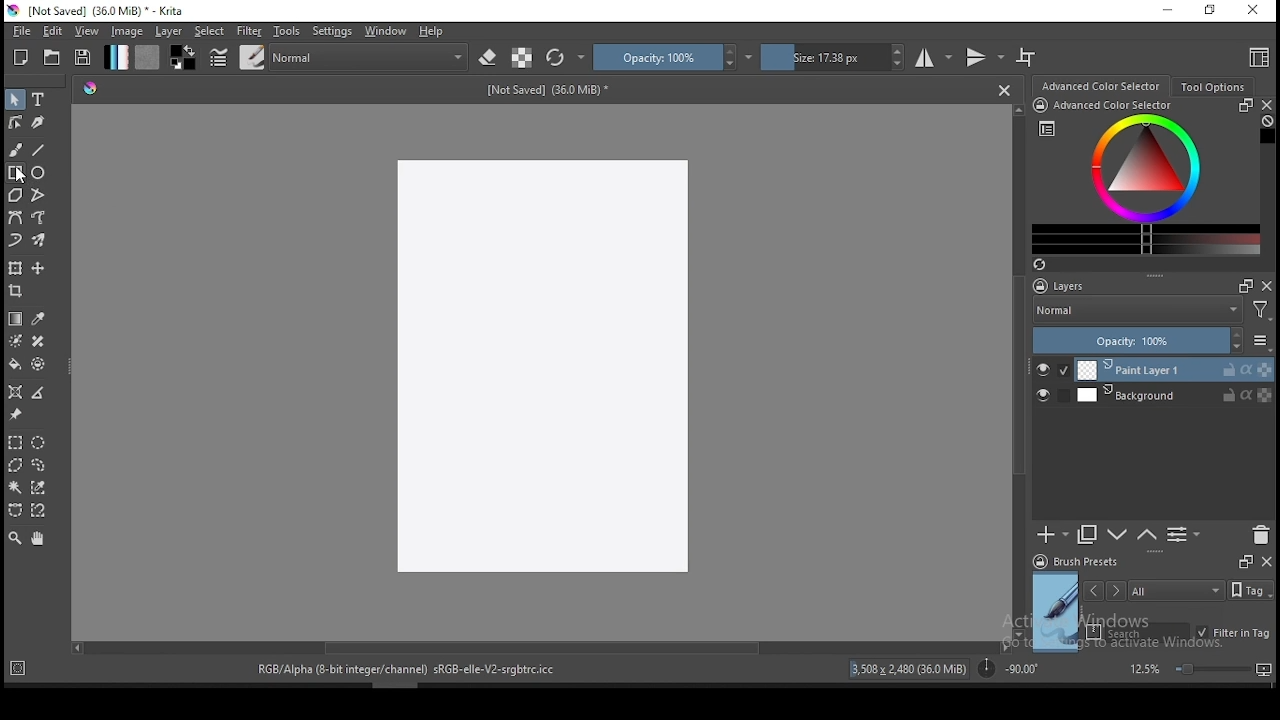 This screenshot has width=1280, height=720. Describe the element at coordinates (90, 88) in the screenshot. I see `Hue` at that location.